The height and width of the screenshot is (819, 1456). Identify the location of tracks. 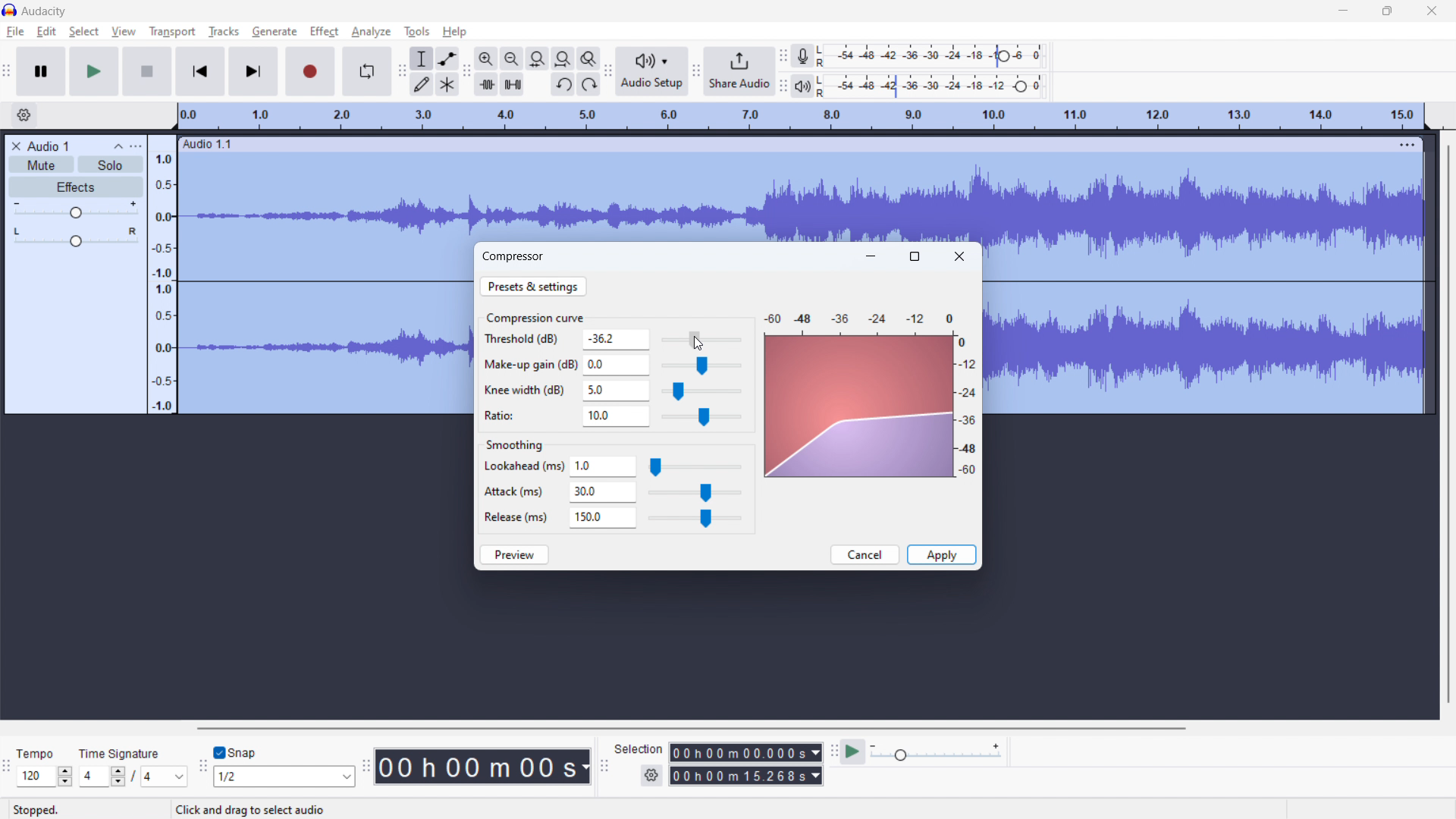
(223, 32).